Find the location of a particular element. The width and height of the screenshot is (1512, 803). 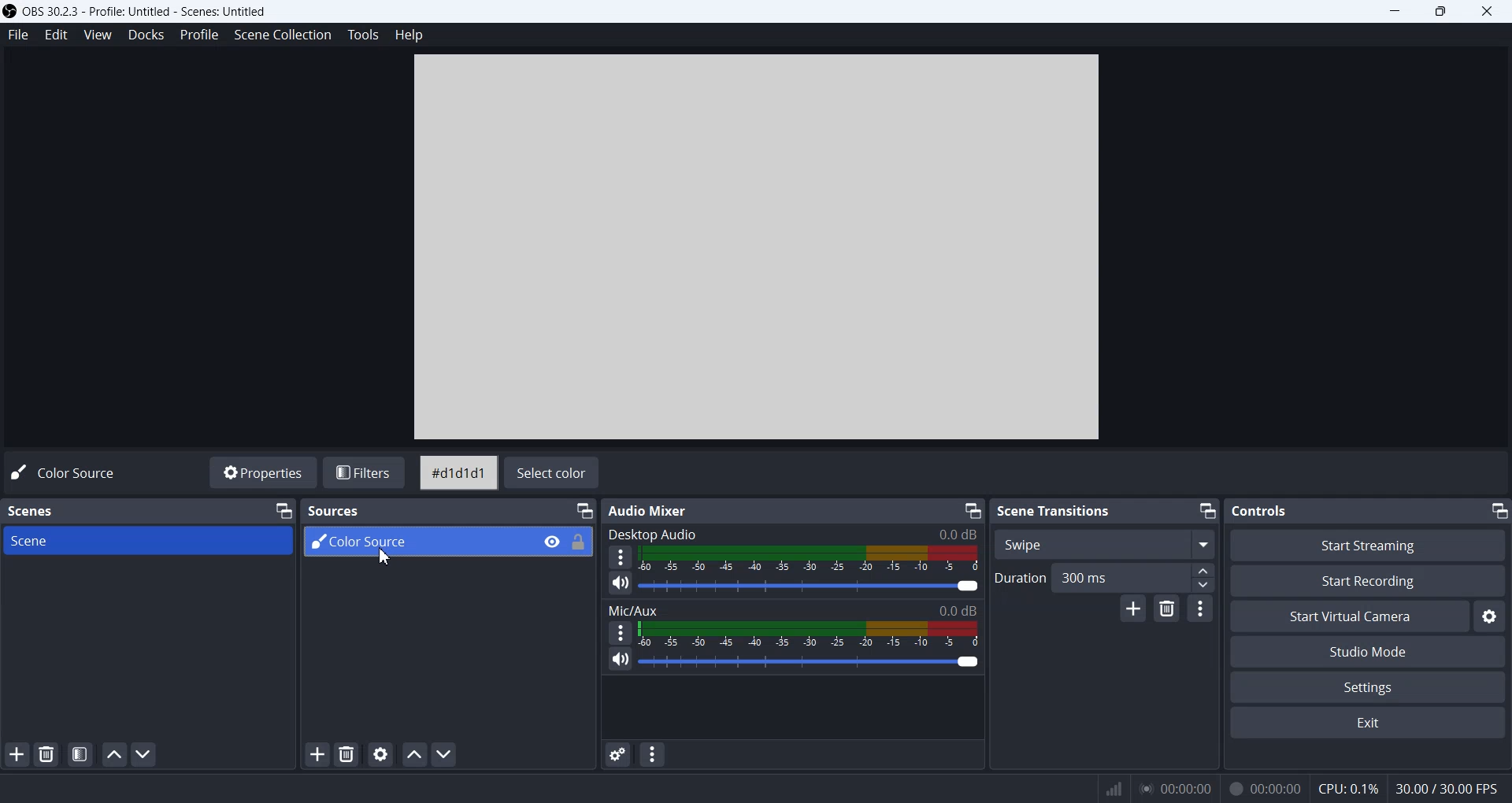

Lock is located at coordinates (579, 542).